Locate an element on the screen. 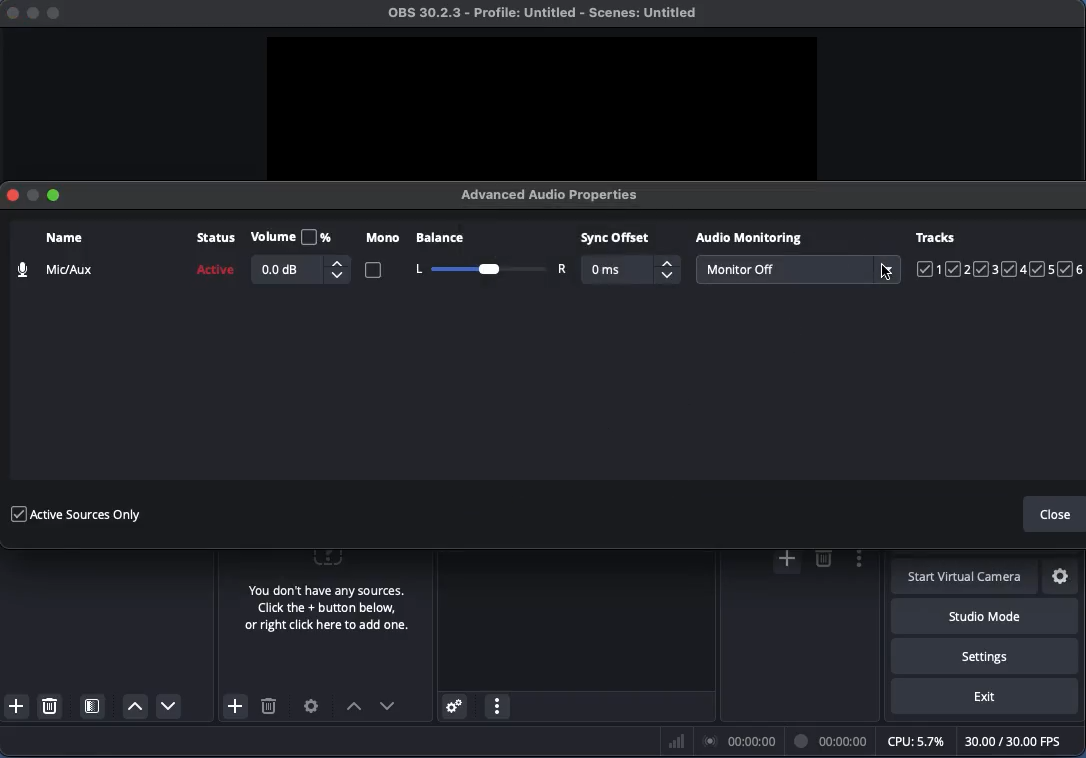  Bars is located at coordinates (677, 741).